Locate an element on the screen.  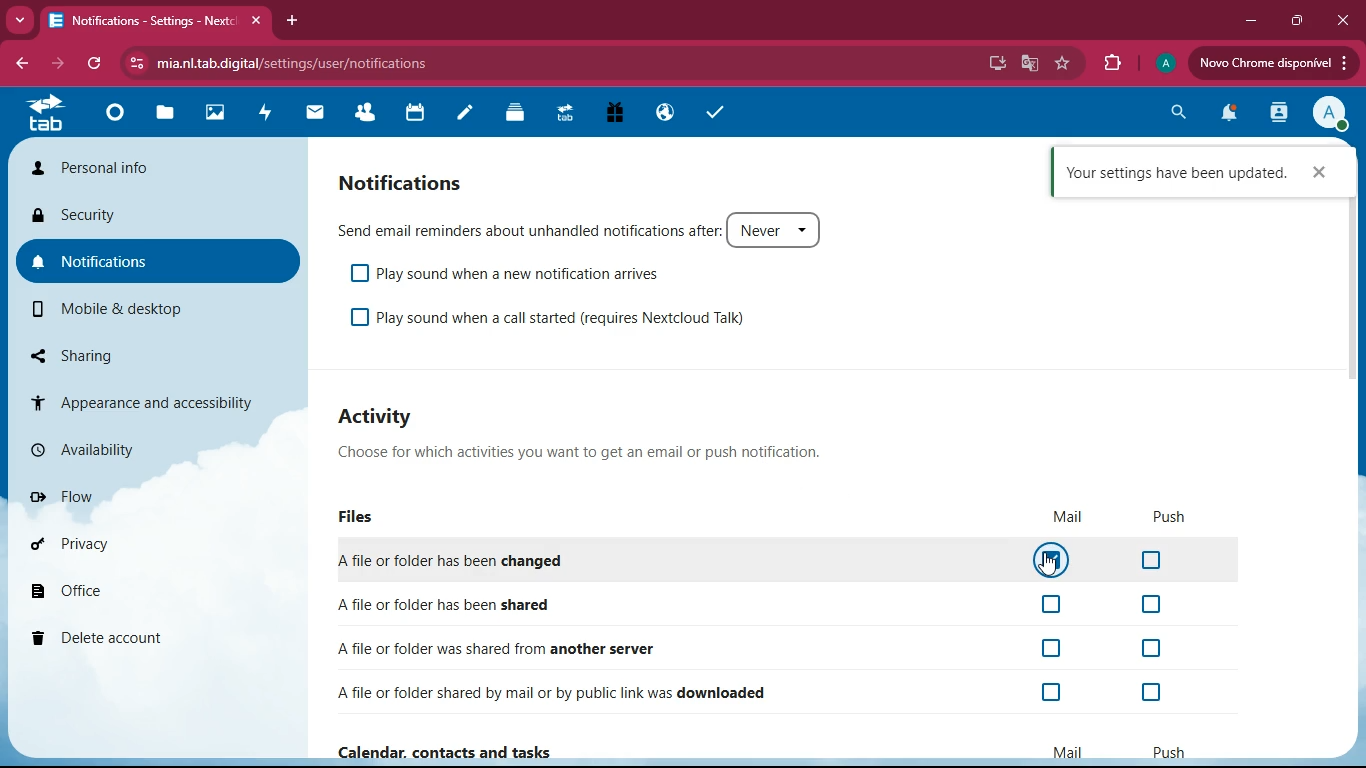
tab is located at coordinates (569, 116).